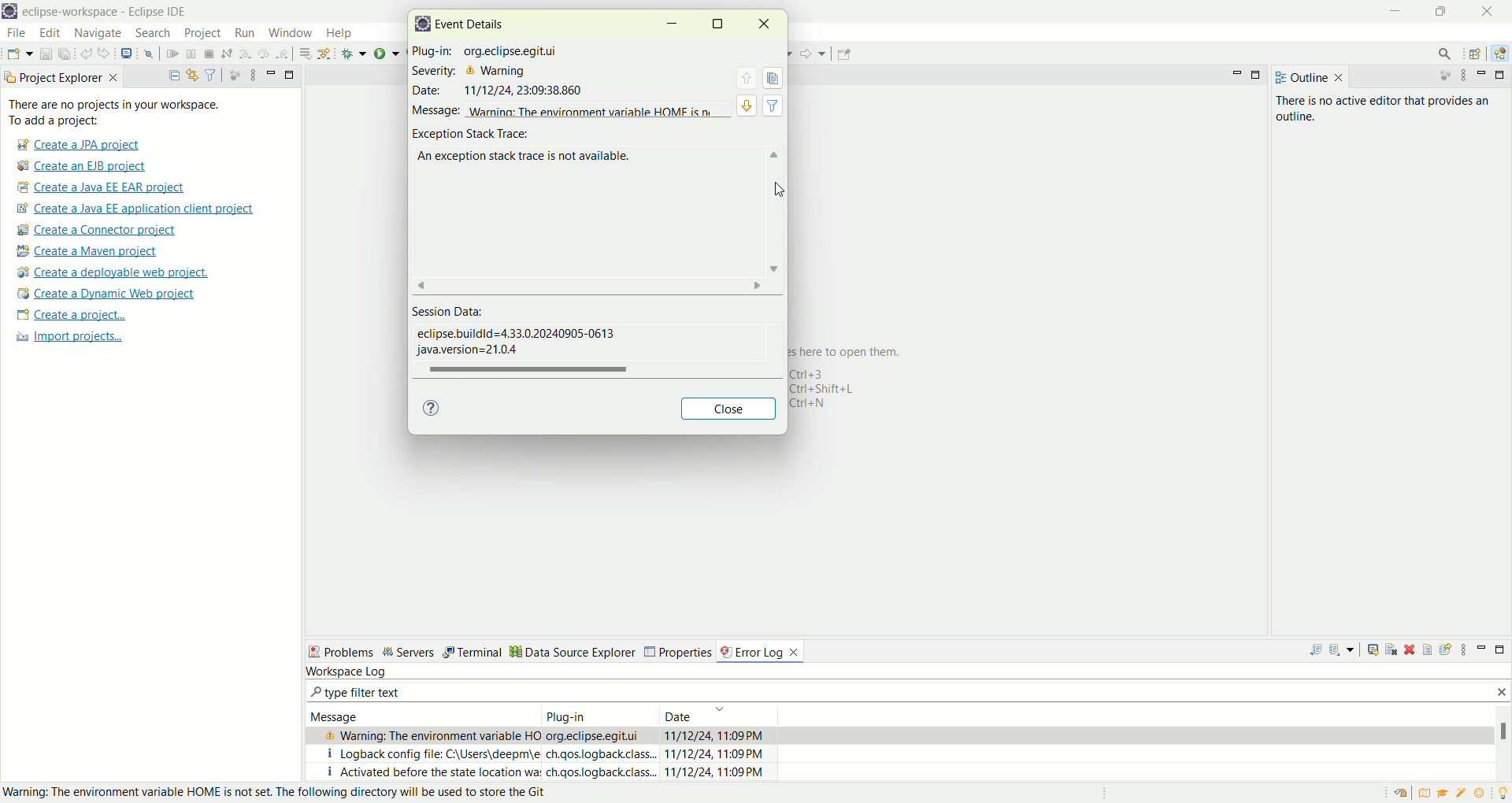  What do you see at coordinates (1237, 74) in the screenshot?
I see `minimize` at bounding box center [1237, 74].